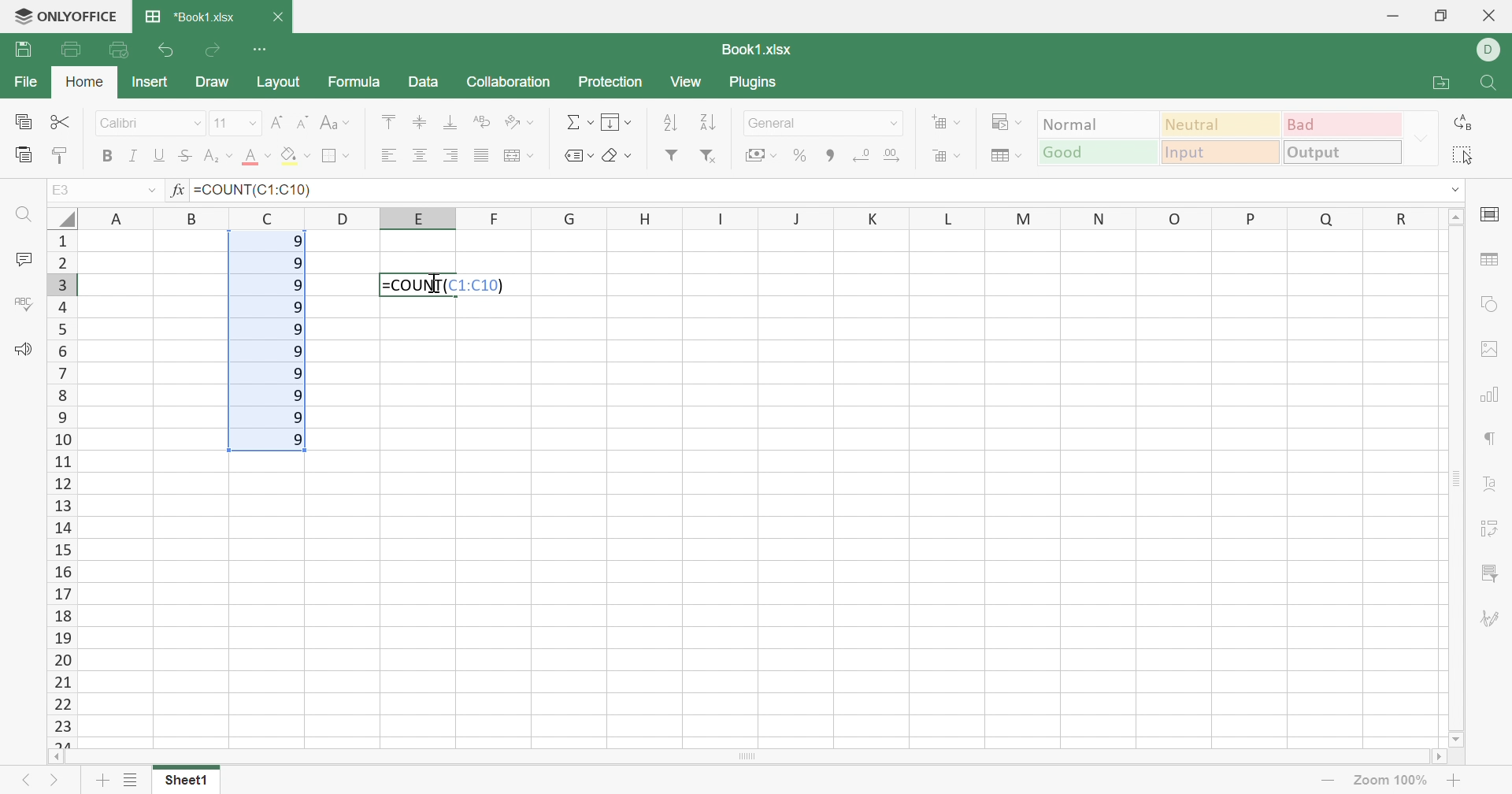 The image size is (1512, 794). What do you see at coordinates (1387, 13) in the screenshot?
I see `Minimize` at bounding box center [1387, 13].